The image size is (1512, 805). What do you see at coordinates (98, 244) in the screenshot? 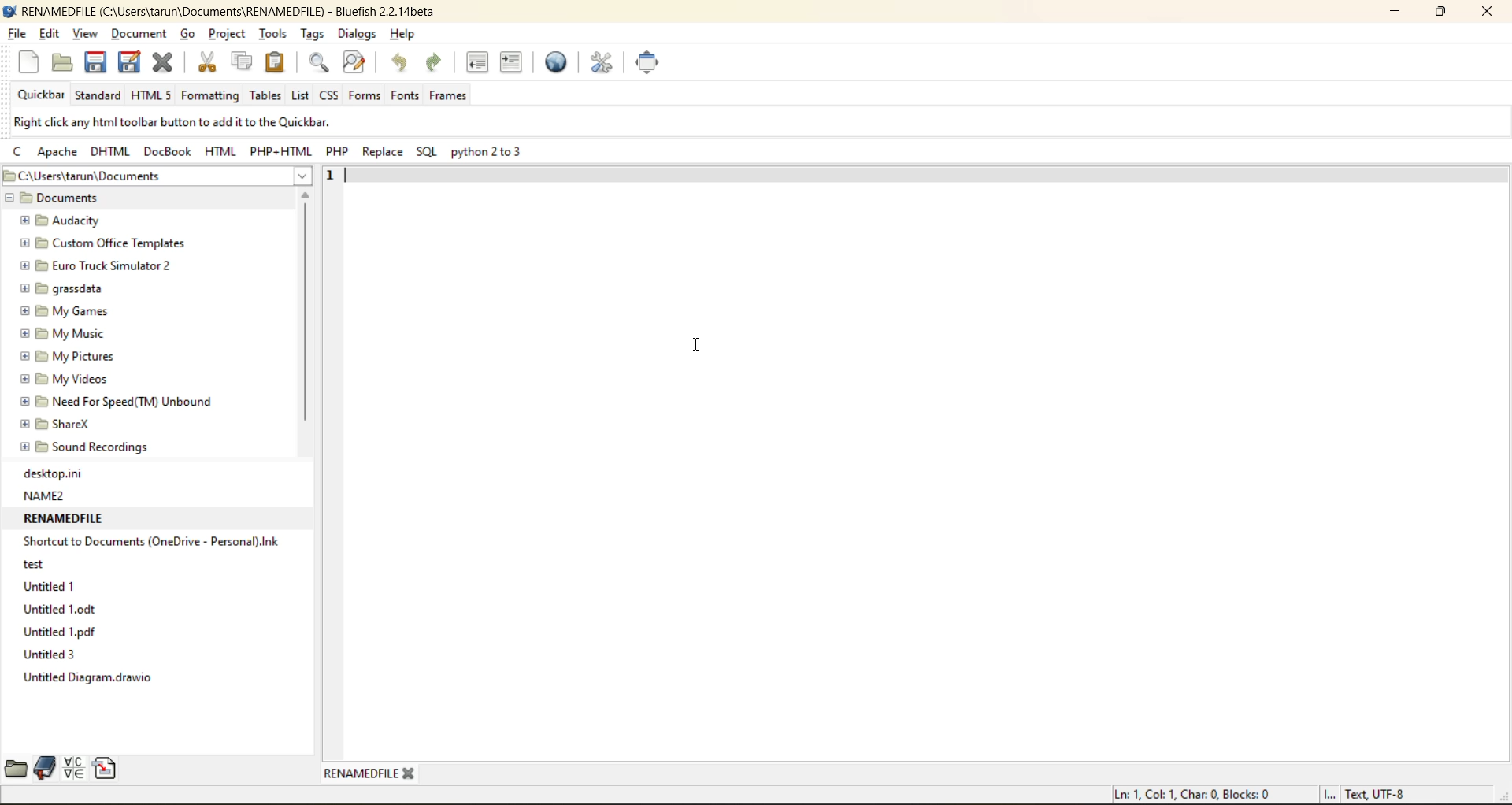
I see `Custom Office Templates` at bounding box center [98, 244].